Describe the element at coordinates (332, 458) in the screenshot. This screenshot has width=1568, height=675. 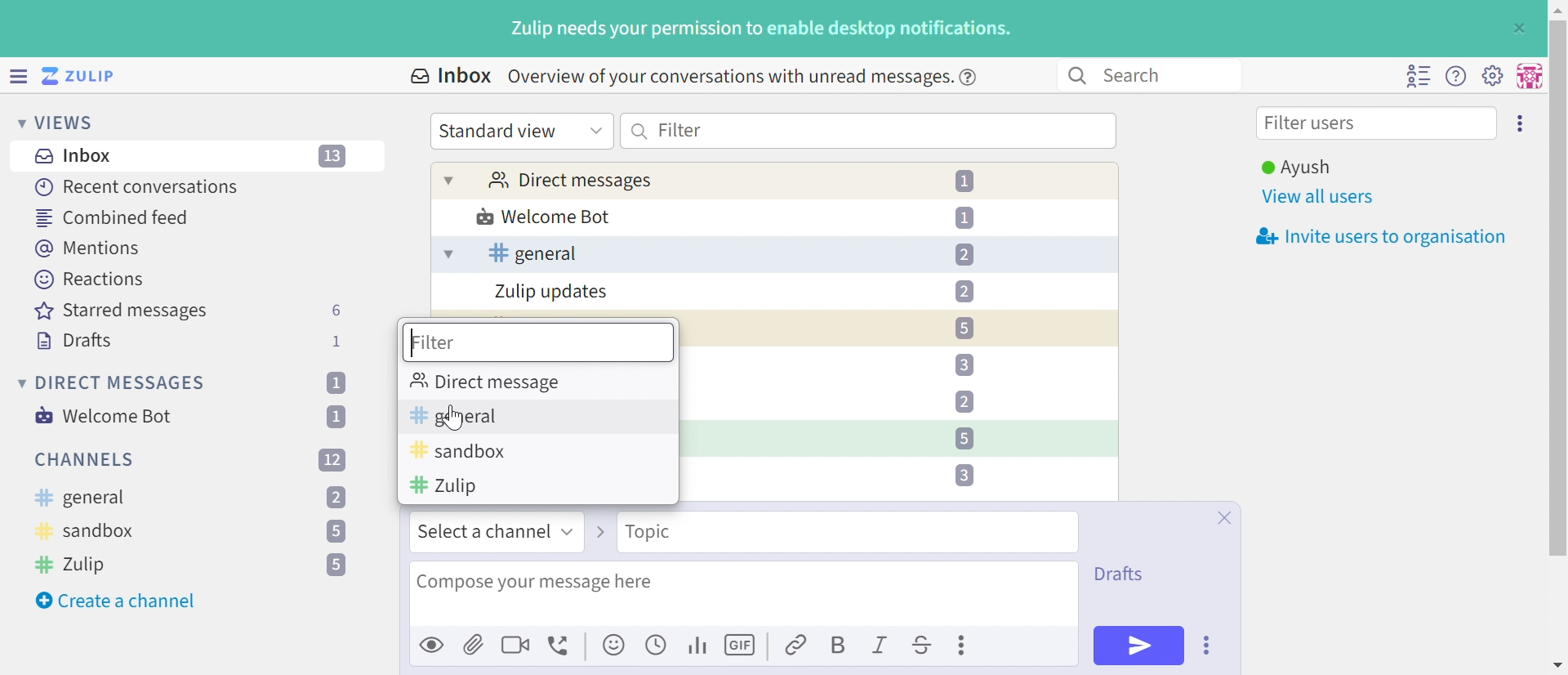
I see `12` at that location.